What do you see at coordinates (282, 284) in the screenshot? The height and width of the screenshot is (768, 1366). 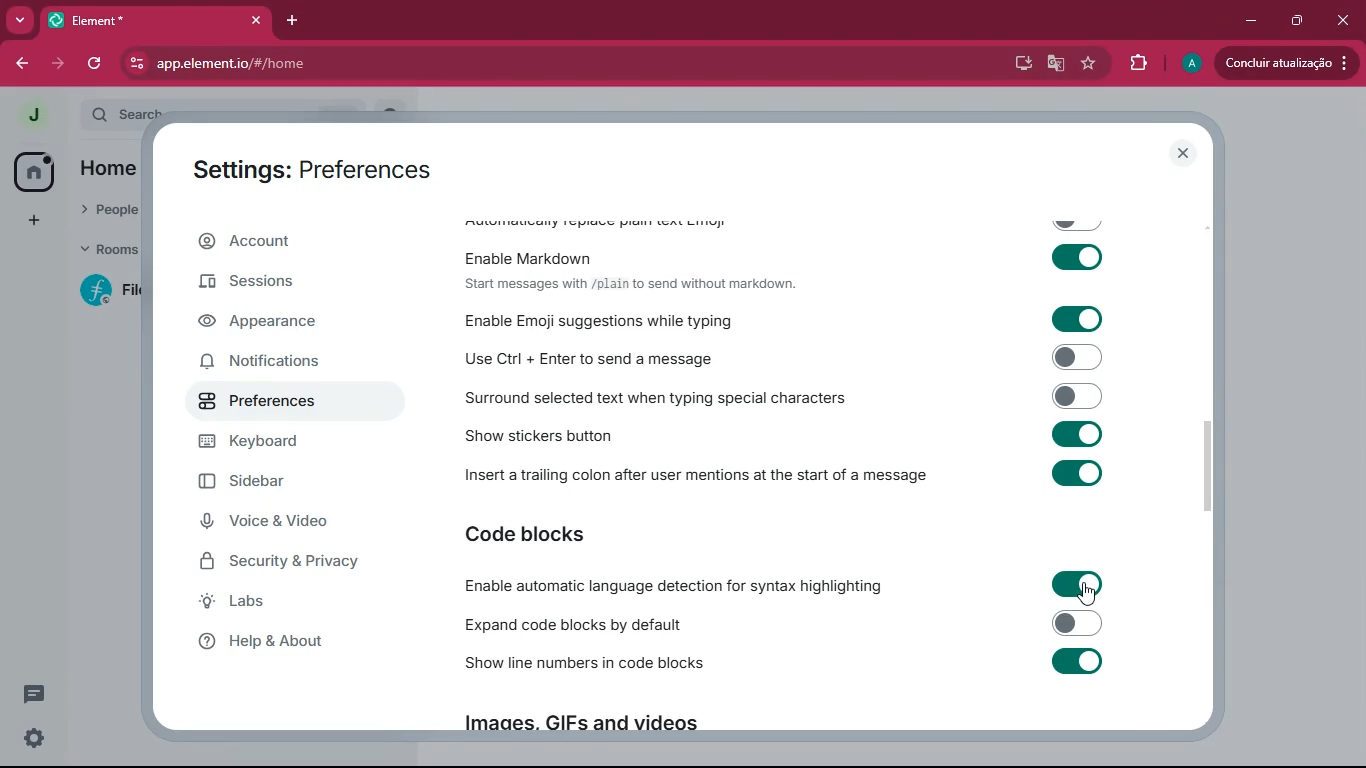 I see `sessions` at bounding box center [282, 284].